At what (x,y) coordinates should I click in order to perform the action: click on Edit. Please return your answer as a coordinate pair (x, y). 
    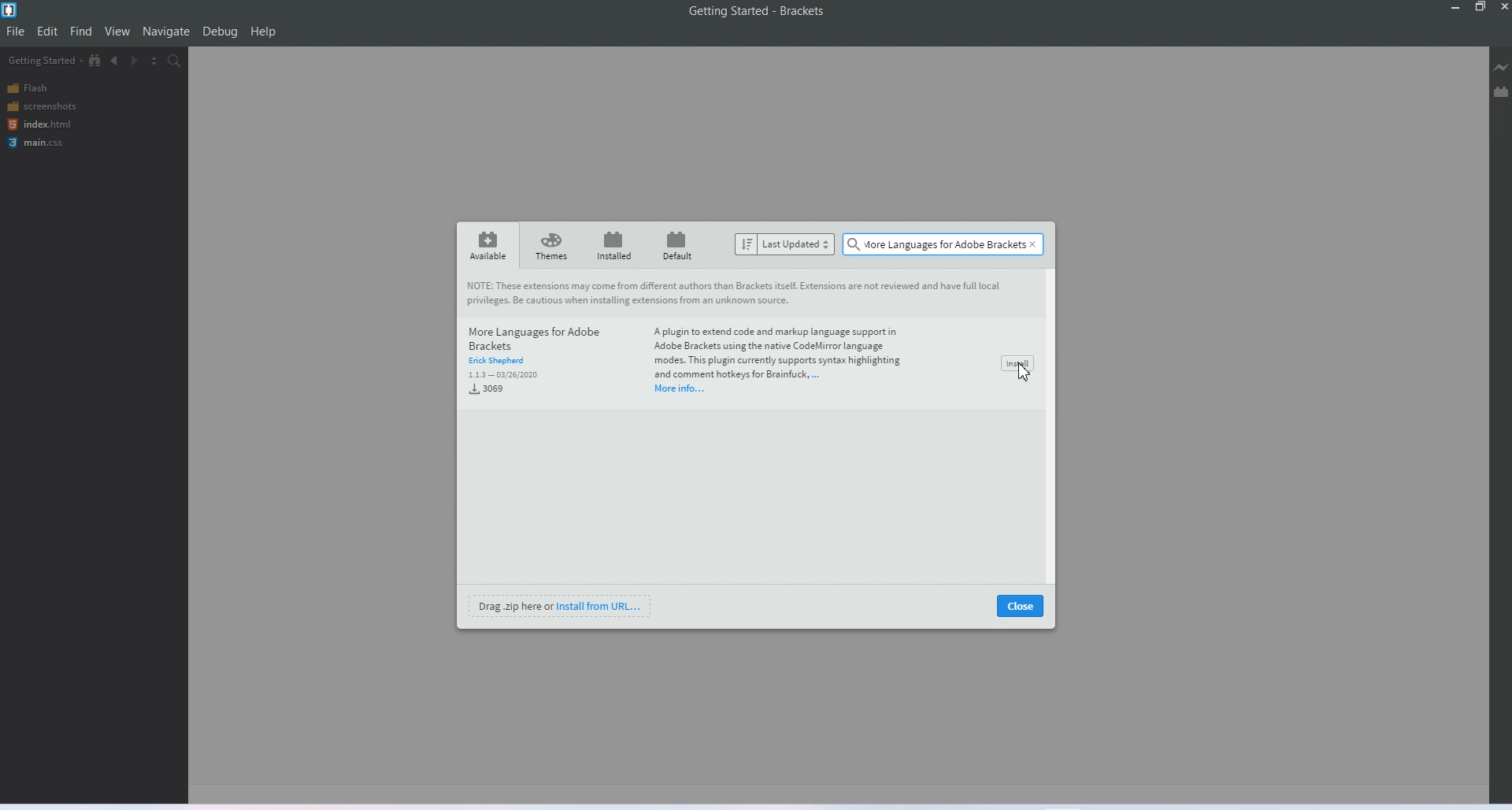
    Looking at the image, I should click on (49, 32).